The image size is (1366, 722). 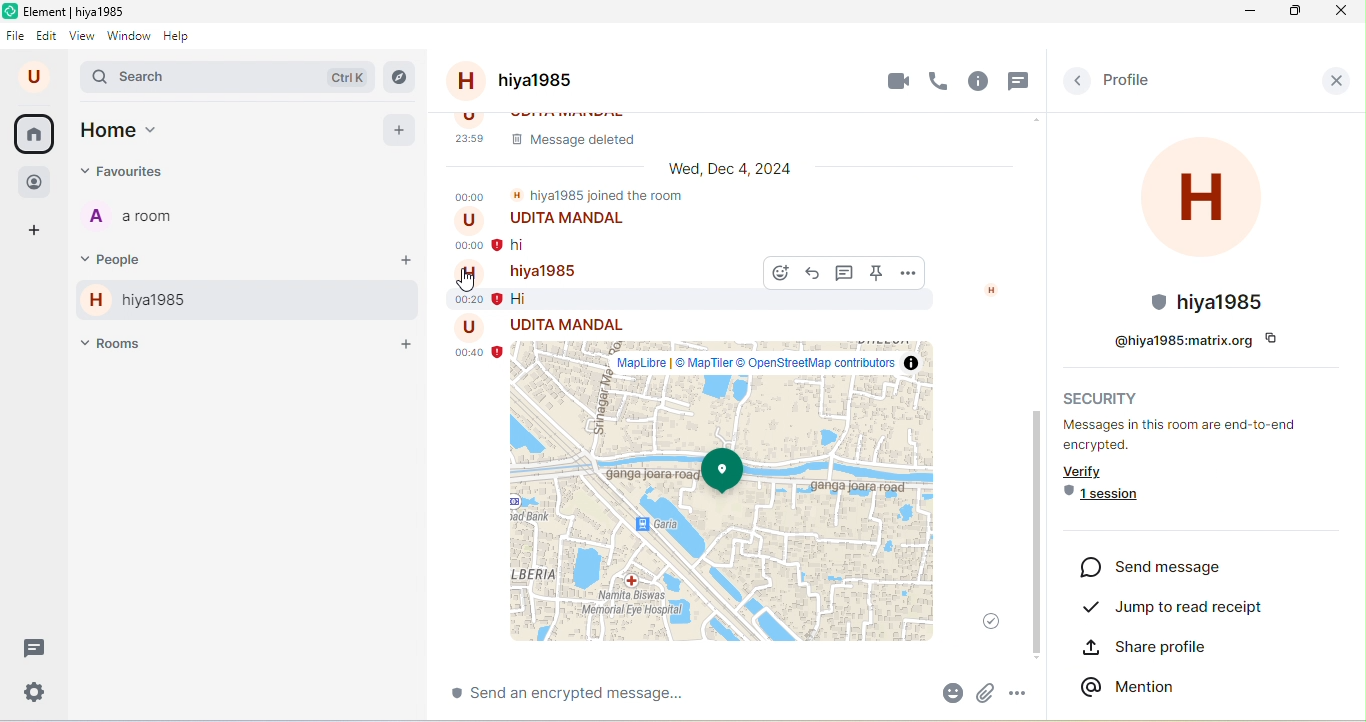 What do you see at coordinates (119, 258) in the screenshot?
I see `people` at bounding box center [119, 258].